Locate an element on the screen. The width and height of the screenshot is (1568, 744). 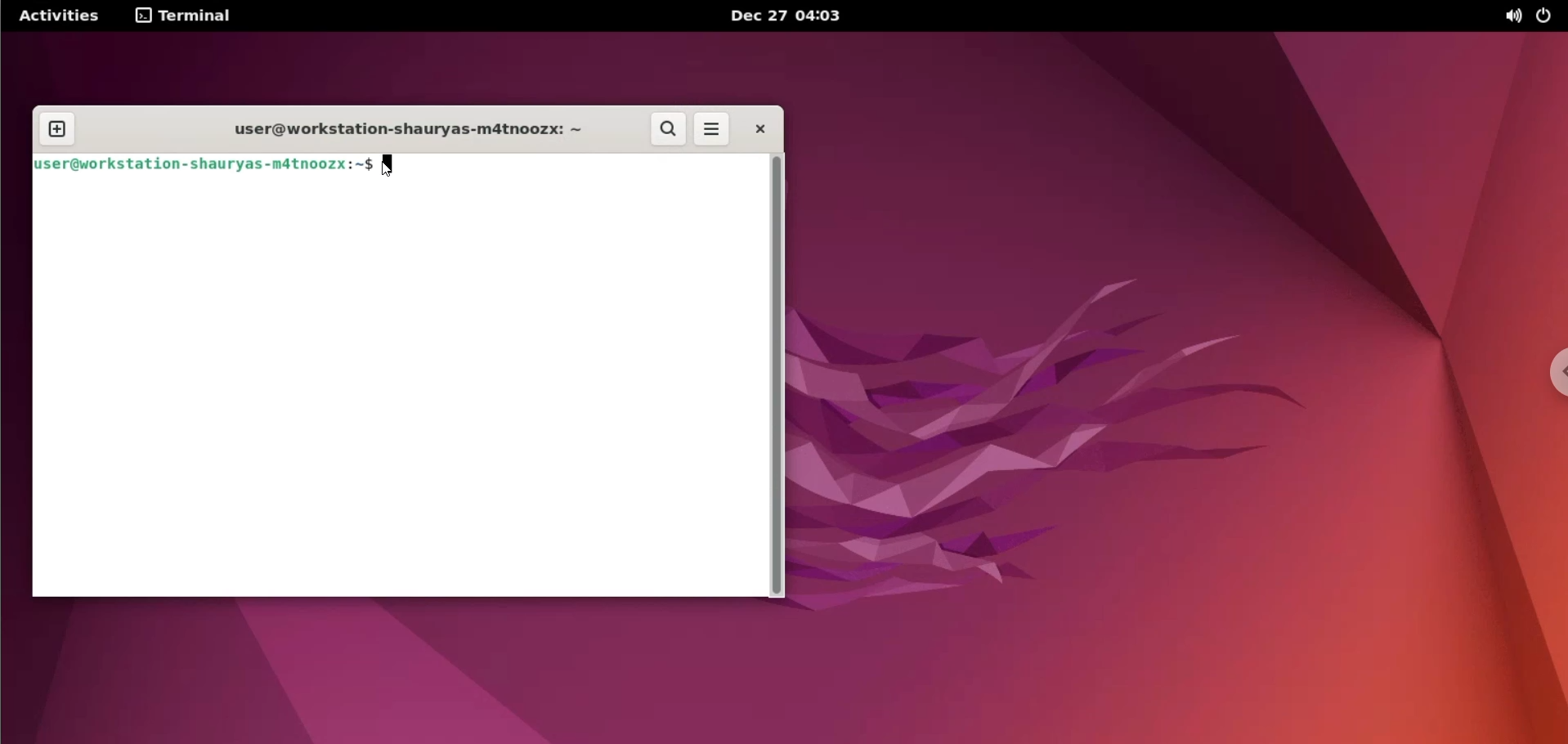
user@workstation-shauryas-m4tnoozx:-$ is located at coordinates (201, 163).